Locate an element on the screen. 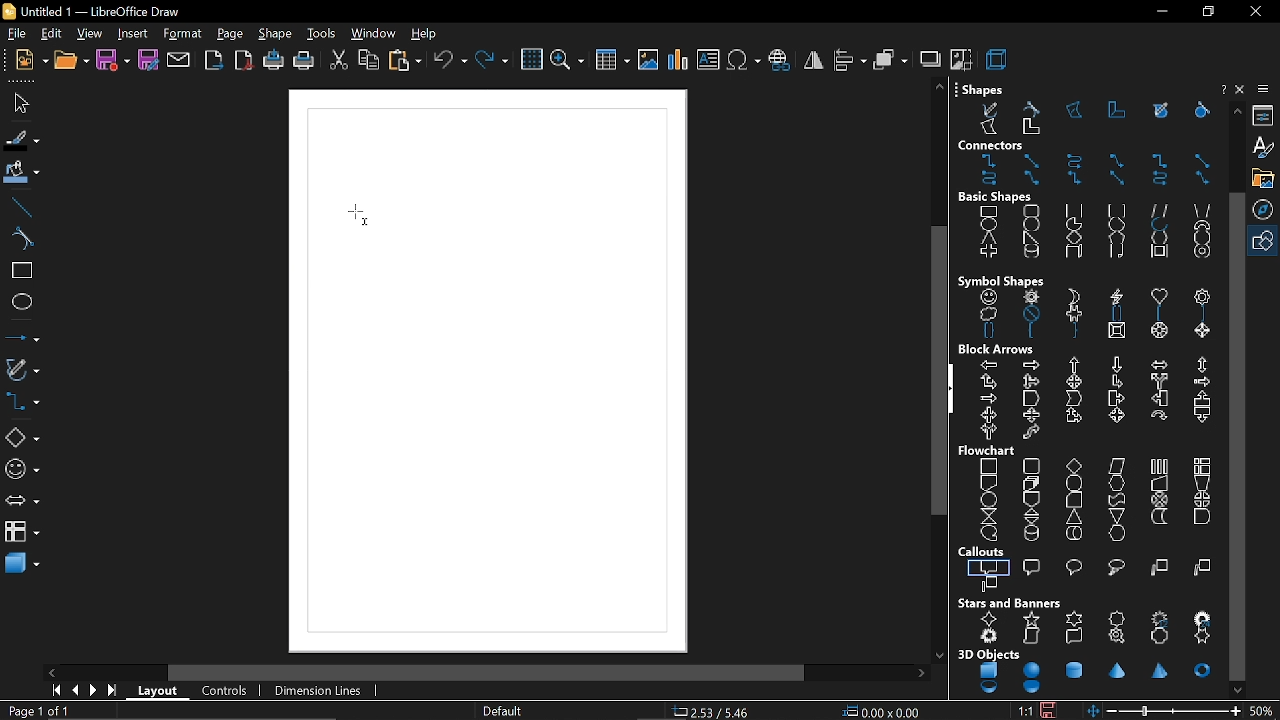  straight connector ends with arrow is located at coordinates (1030, 160).